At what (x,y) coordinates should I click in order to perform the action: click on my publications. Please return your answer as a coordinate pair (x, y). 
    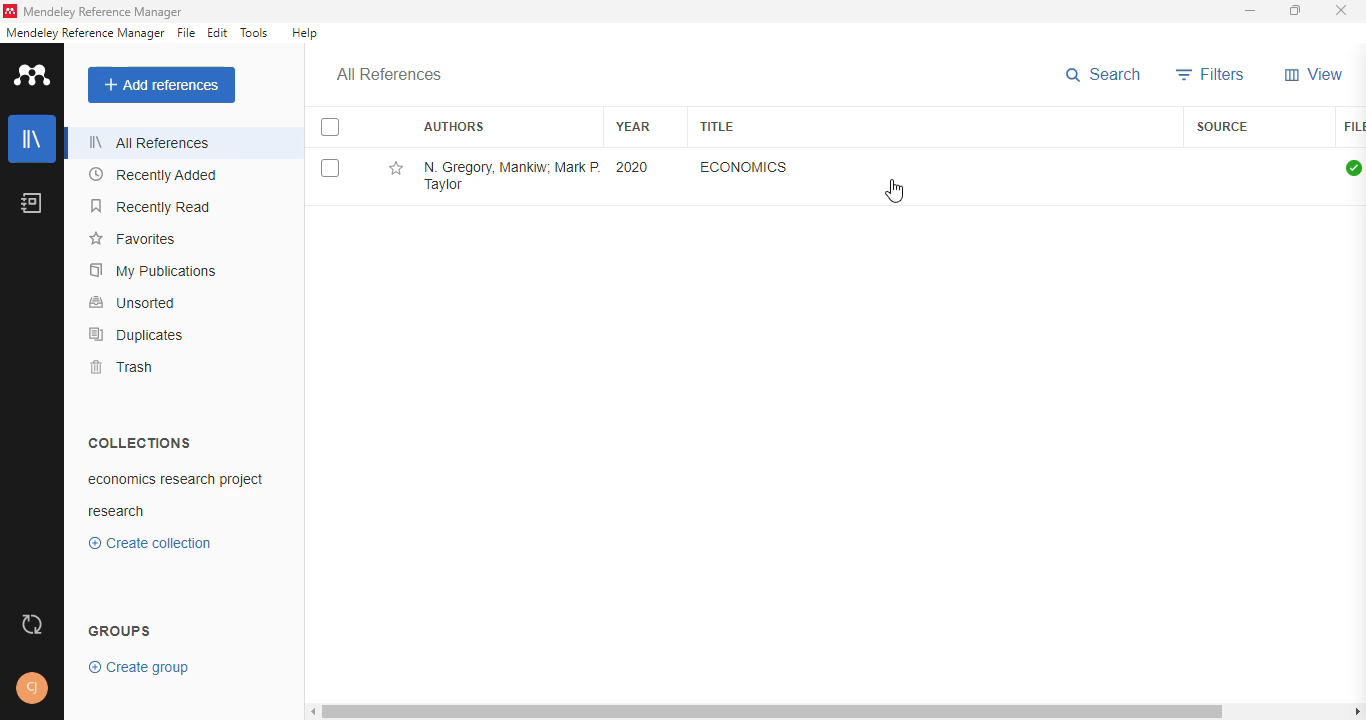
    Looking at the image, I should click on (154, 271).